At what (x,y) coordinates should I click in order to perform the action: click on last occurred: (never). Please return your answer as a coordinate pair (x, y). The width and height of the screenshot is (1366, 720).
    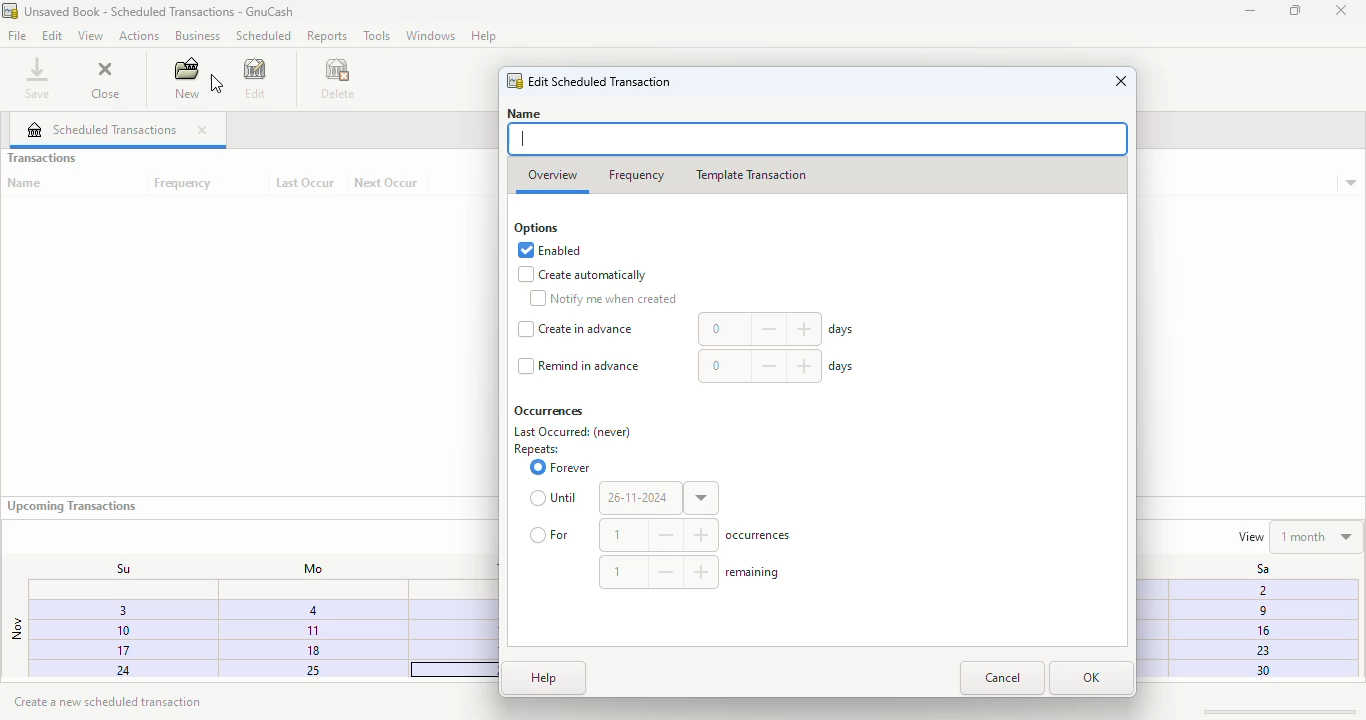
    Looking at the image, I should click on (573, 432).